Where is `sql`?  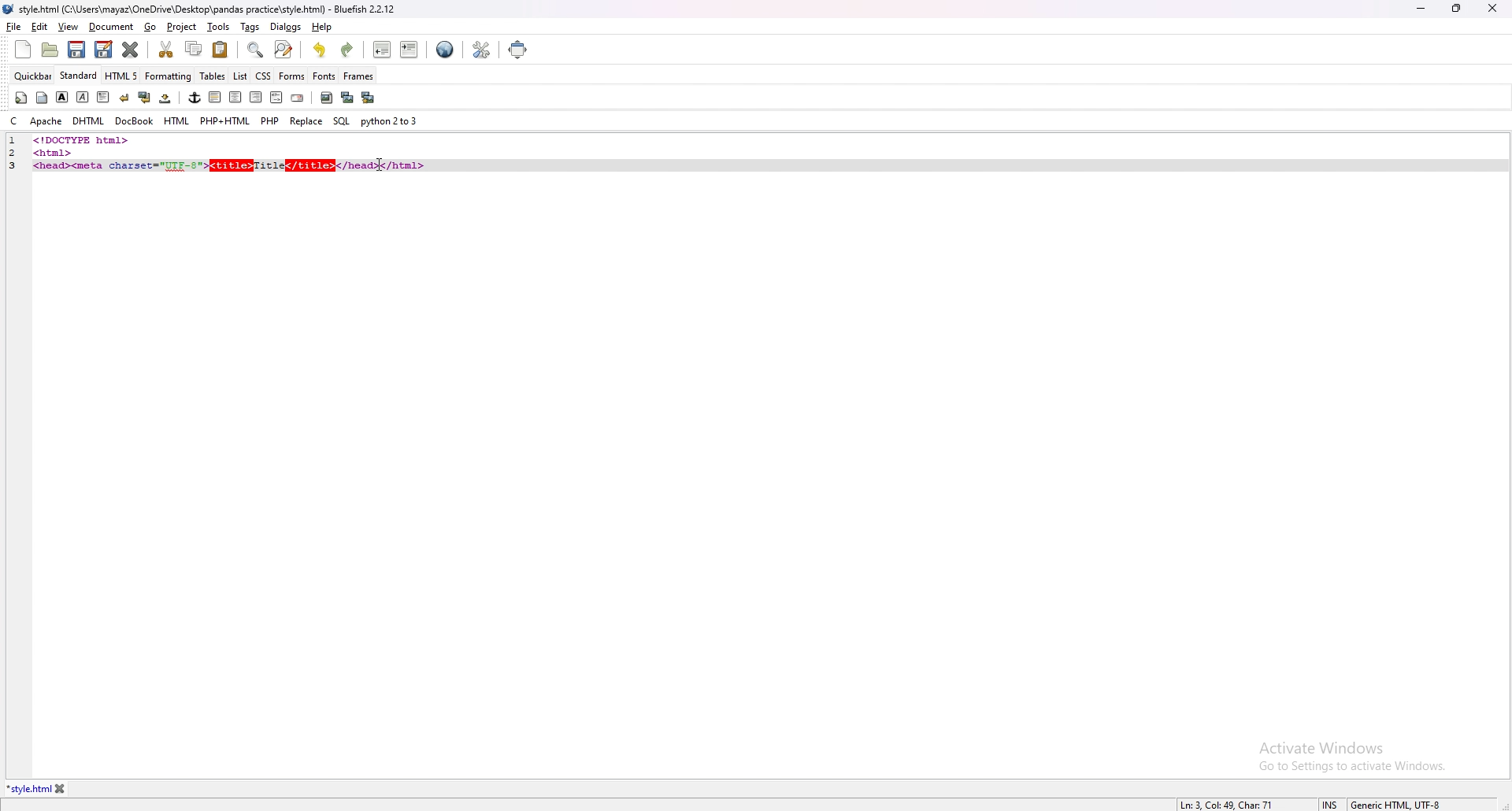 sql is located at coordinates (341, 120).